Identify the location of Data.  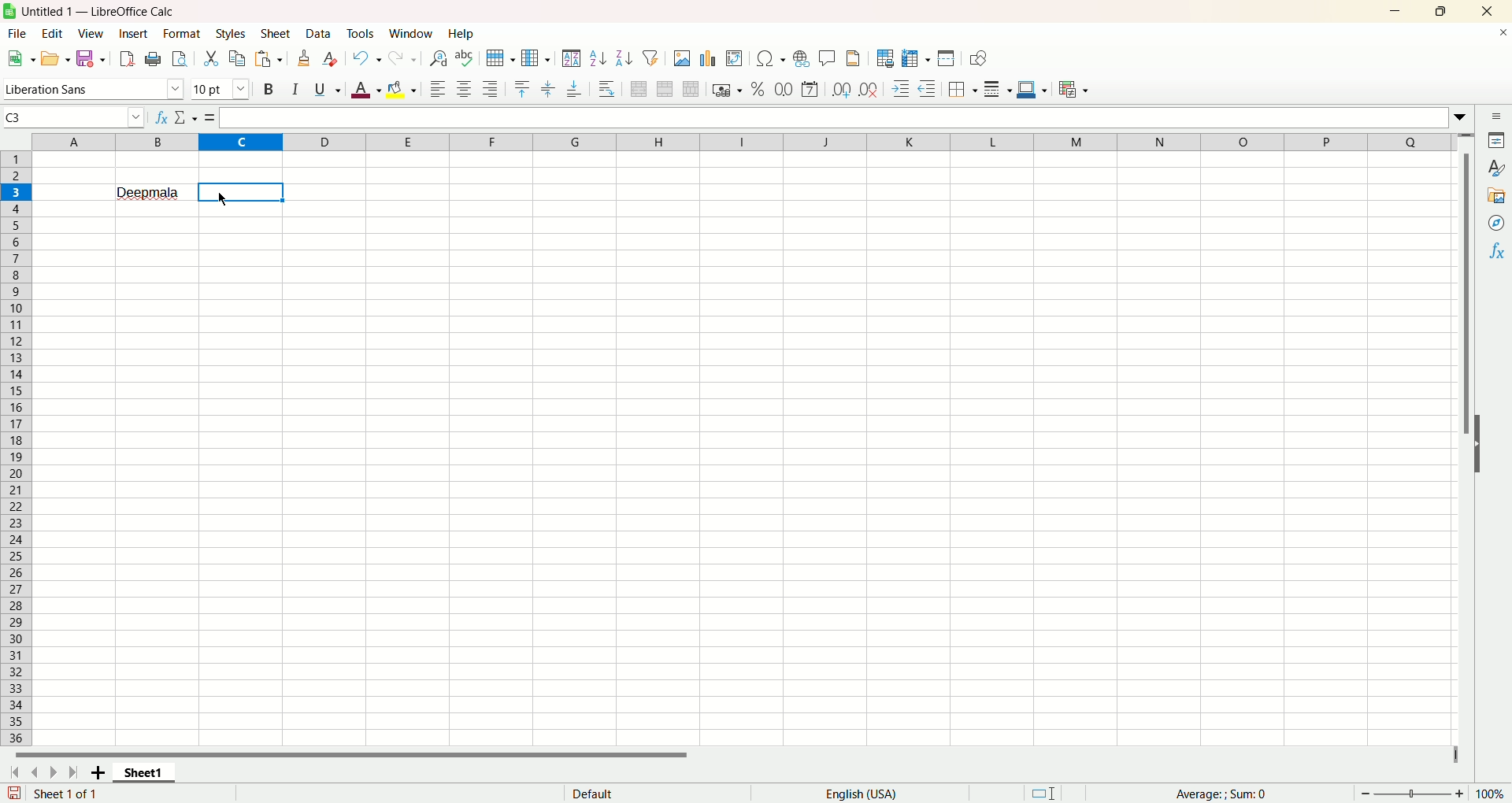
(321, 33).